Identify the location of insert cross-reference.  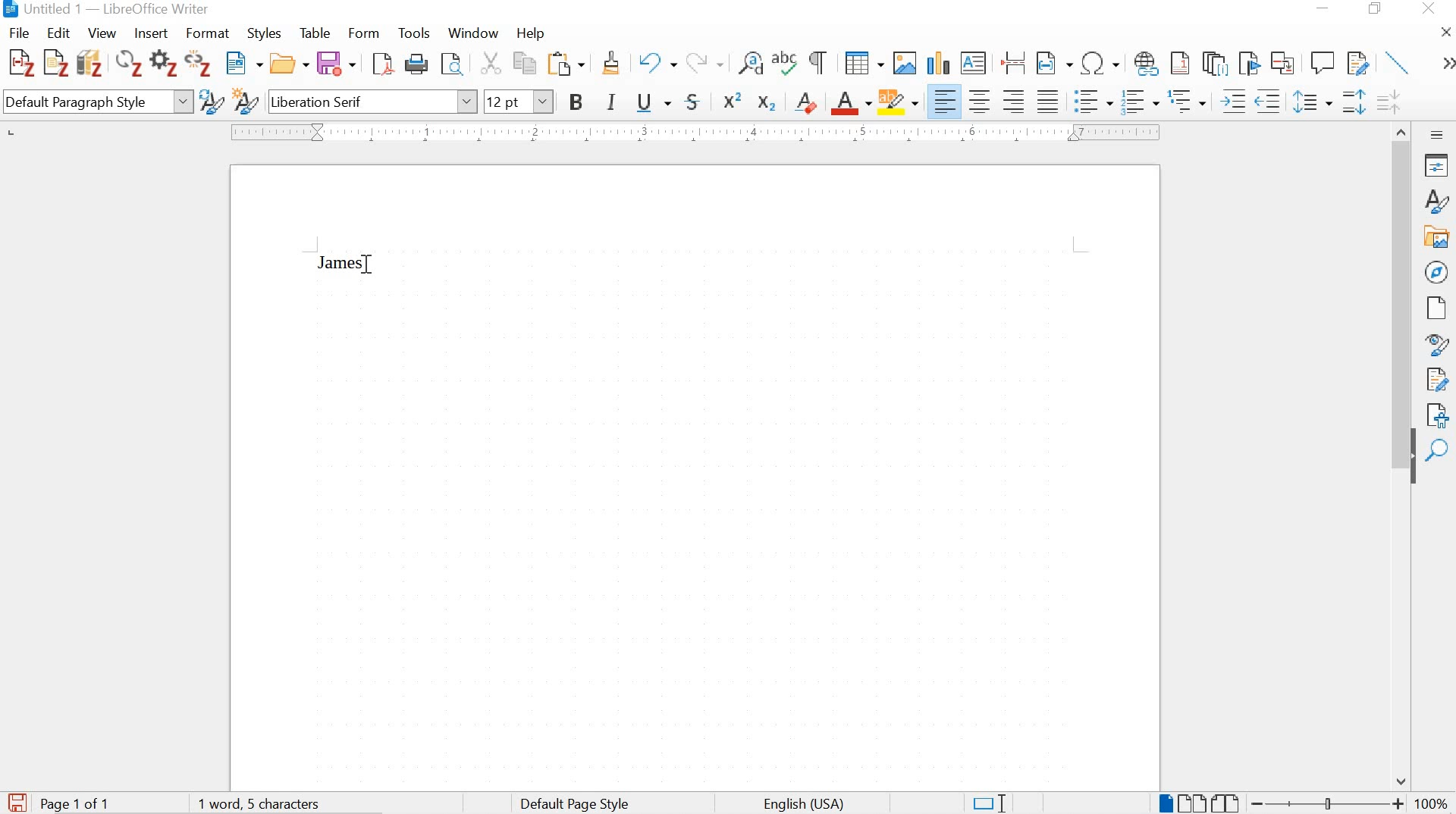
(1284, 62).